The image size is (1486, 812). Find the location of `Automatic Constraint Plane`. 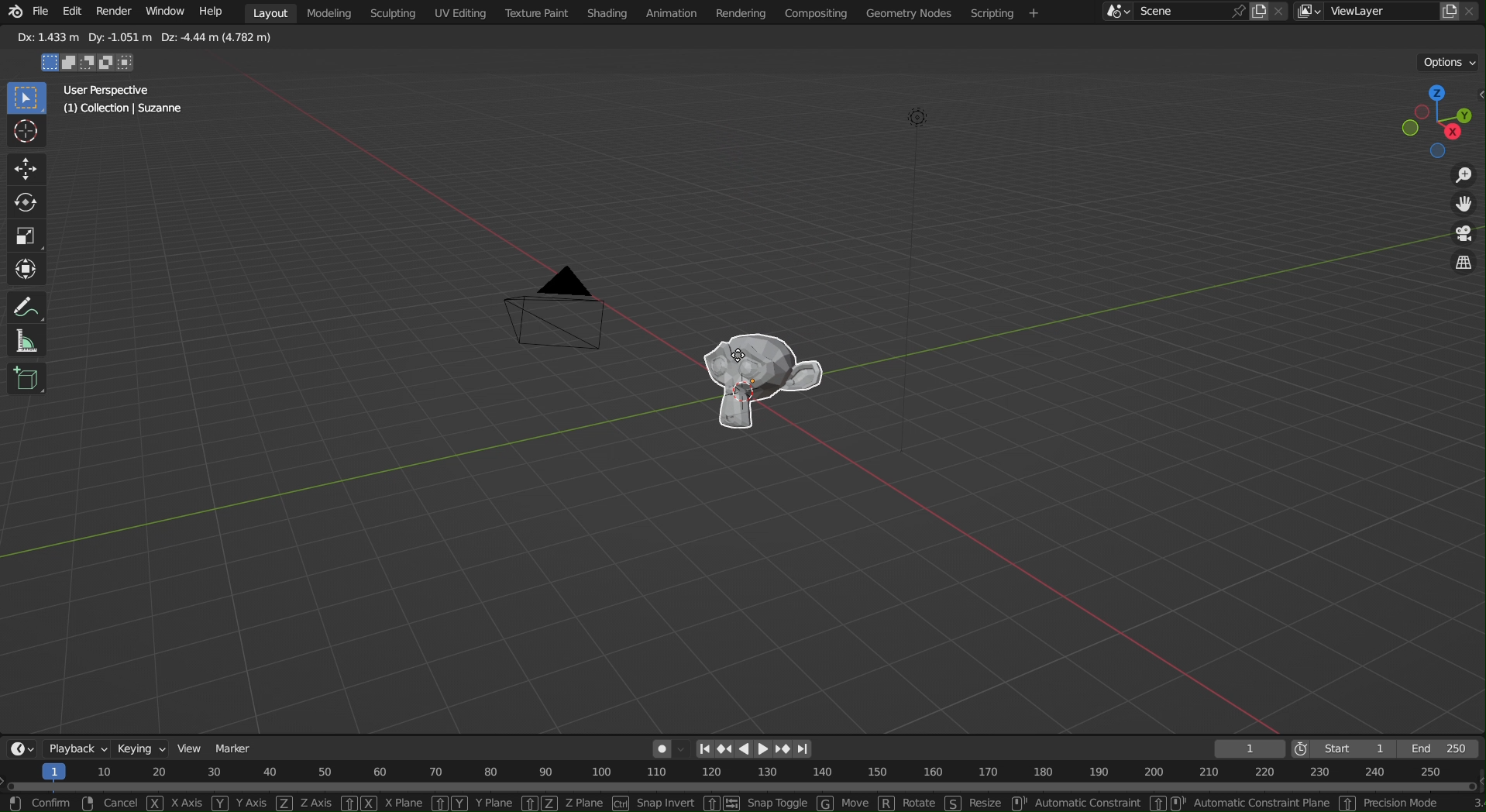

Automatic Constraint Plane is located at coordinates (1263, 802).